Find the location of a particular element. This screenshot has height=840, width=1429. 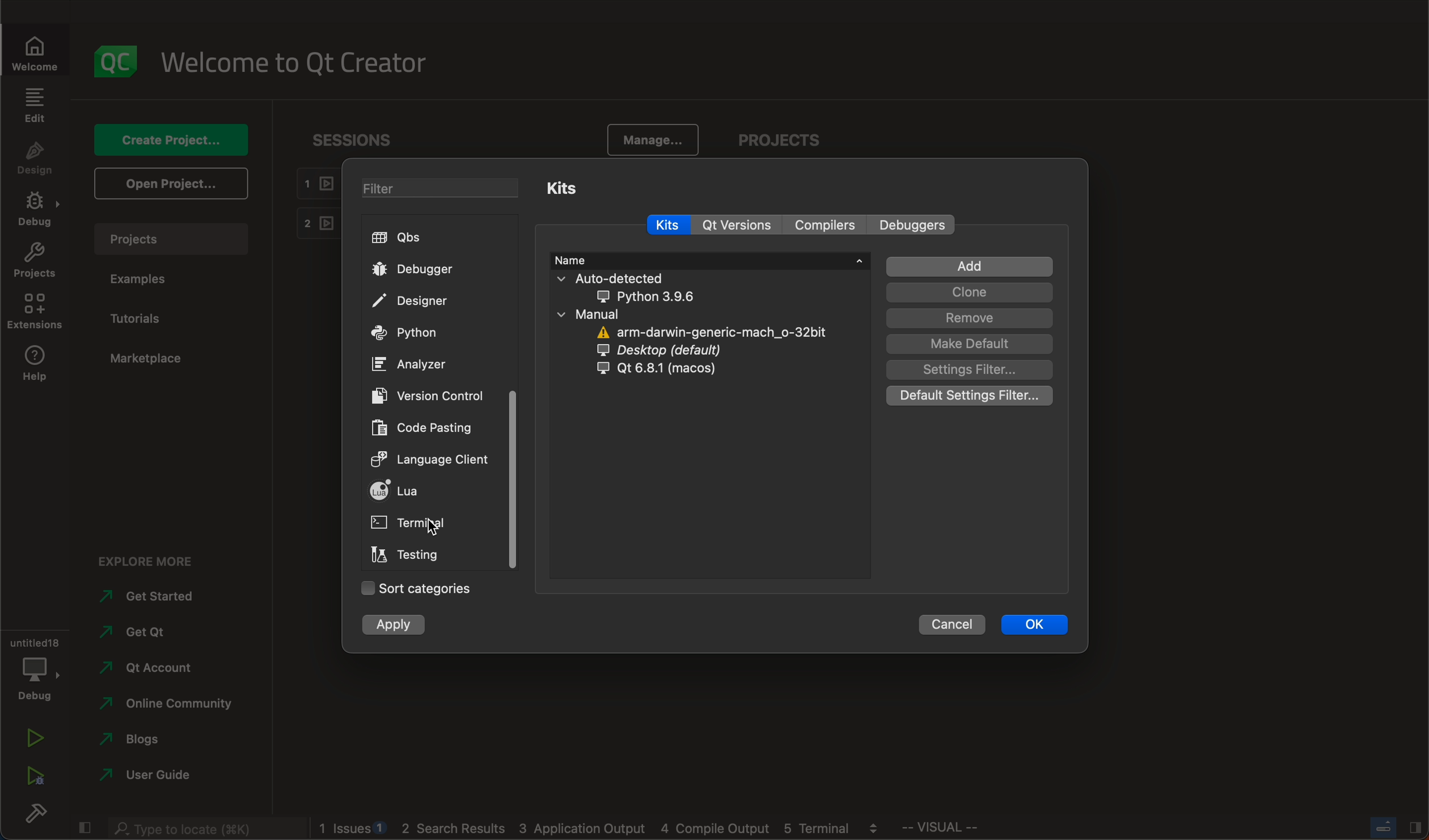

add is located at coordinates (969, 268).